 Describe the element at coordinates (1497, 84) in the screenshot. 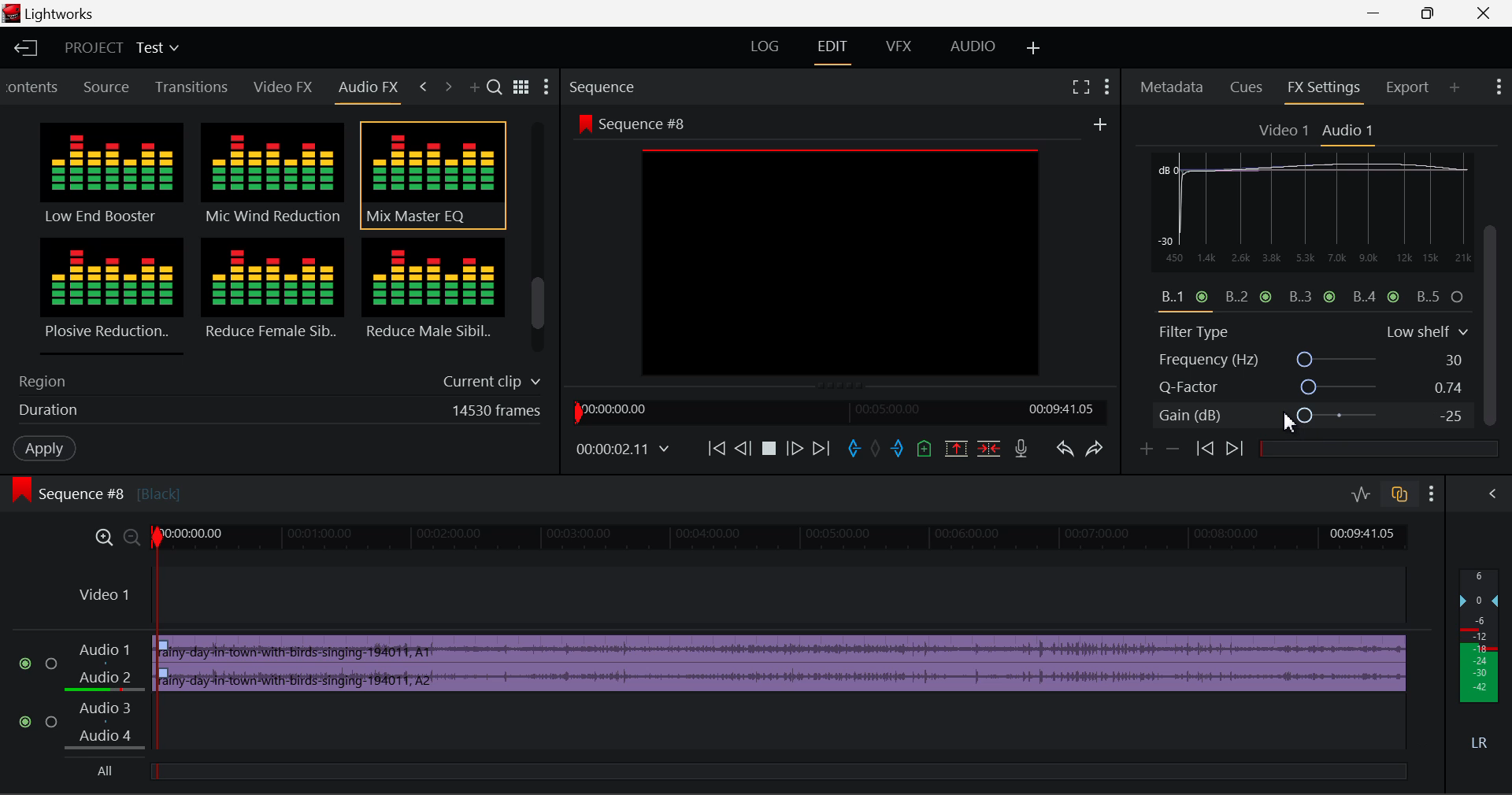

I see `Show Settings` at that location.